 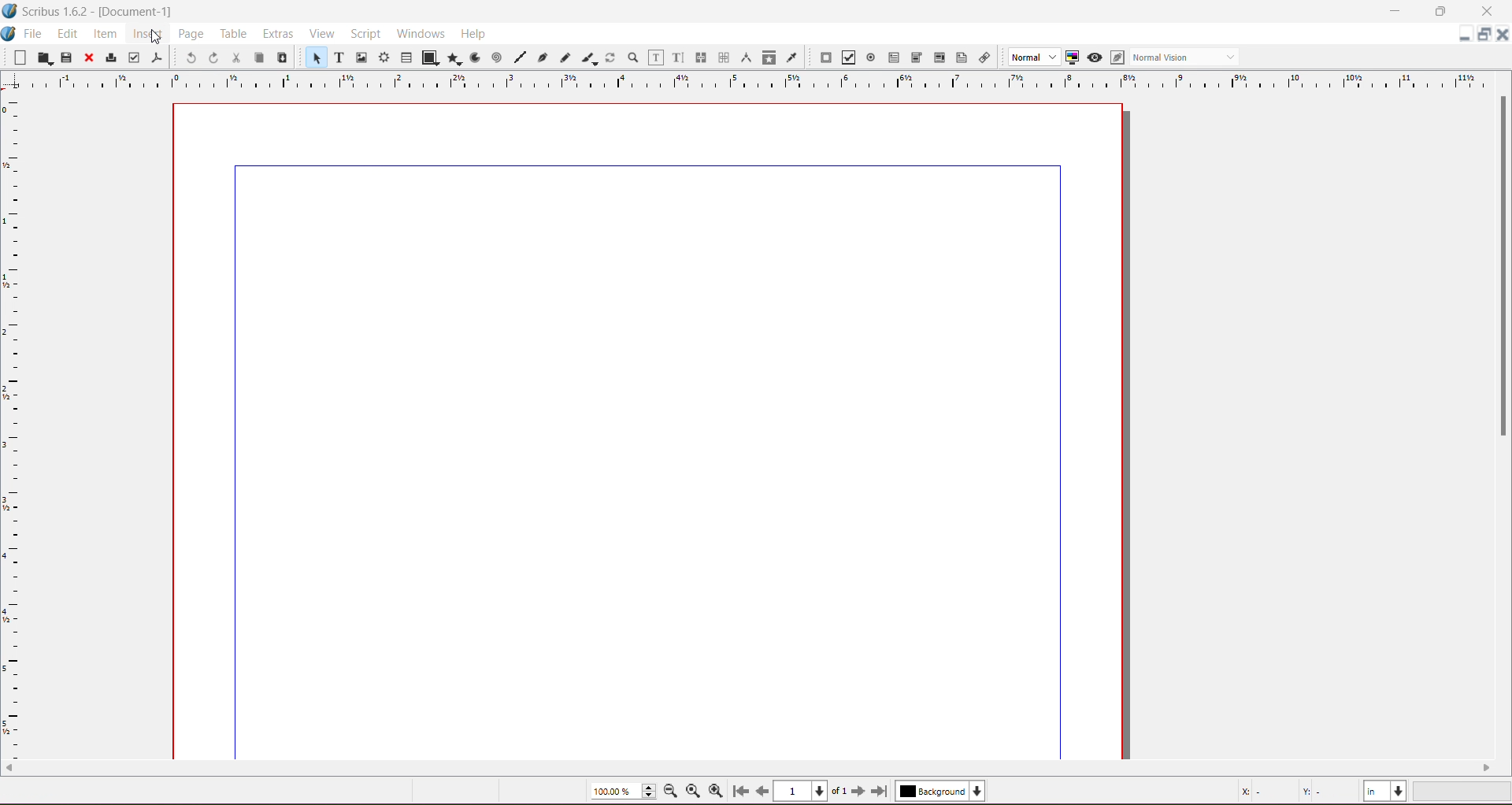 What do you see at coordinates (1031, 57) in the screenshot?
I see `Select the image preview quality` at bounding box center [1031, 57].